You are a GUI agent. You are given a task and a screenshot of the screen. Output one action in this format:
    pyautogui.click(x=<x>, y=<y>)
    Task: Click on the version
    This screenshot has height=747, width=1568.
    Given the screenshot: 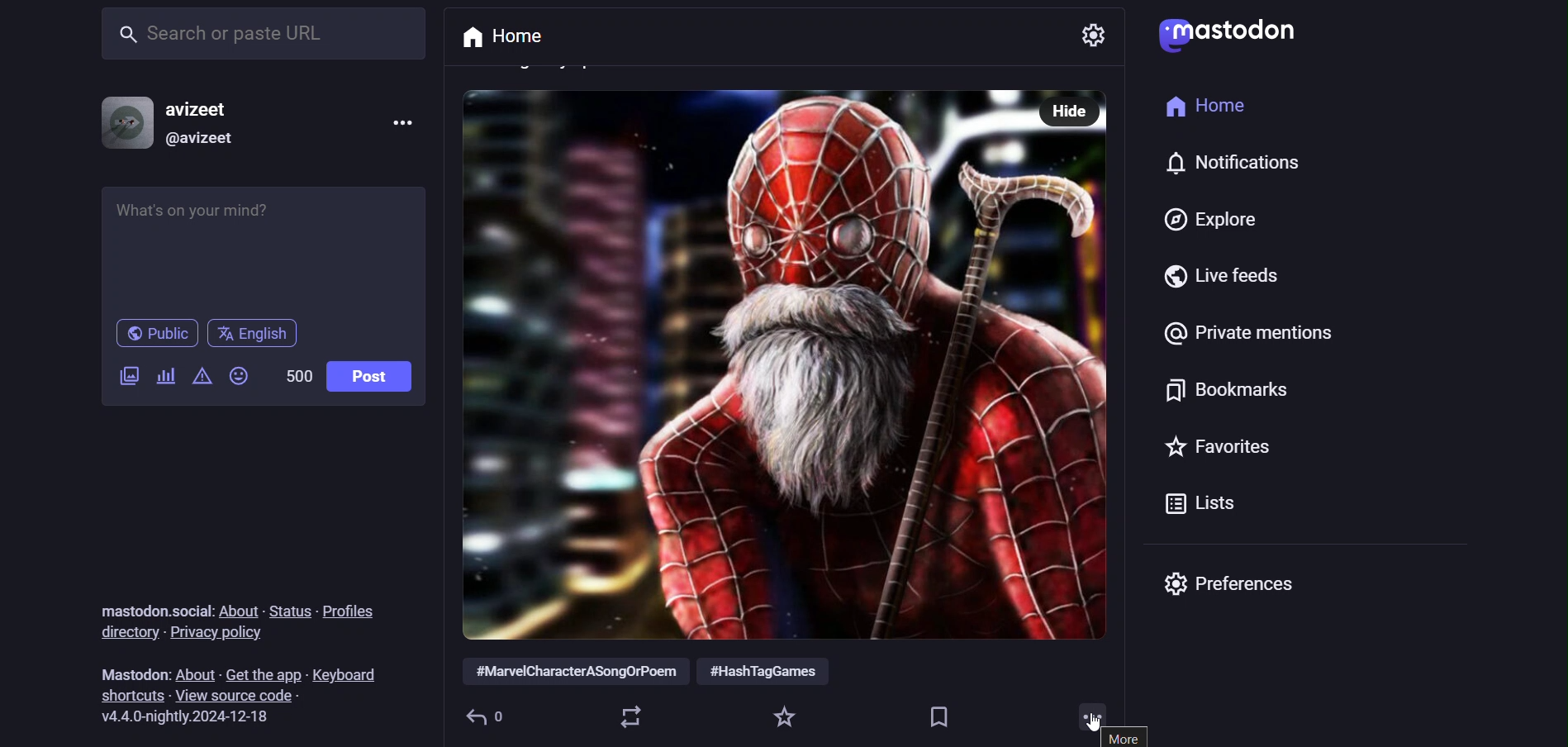 What is the action you would take?
    pyautogui.click(x=194, y=717)
    